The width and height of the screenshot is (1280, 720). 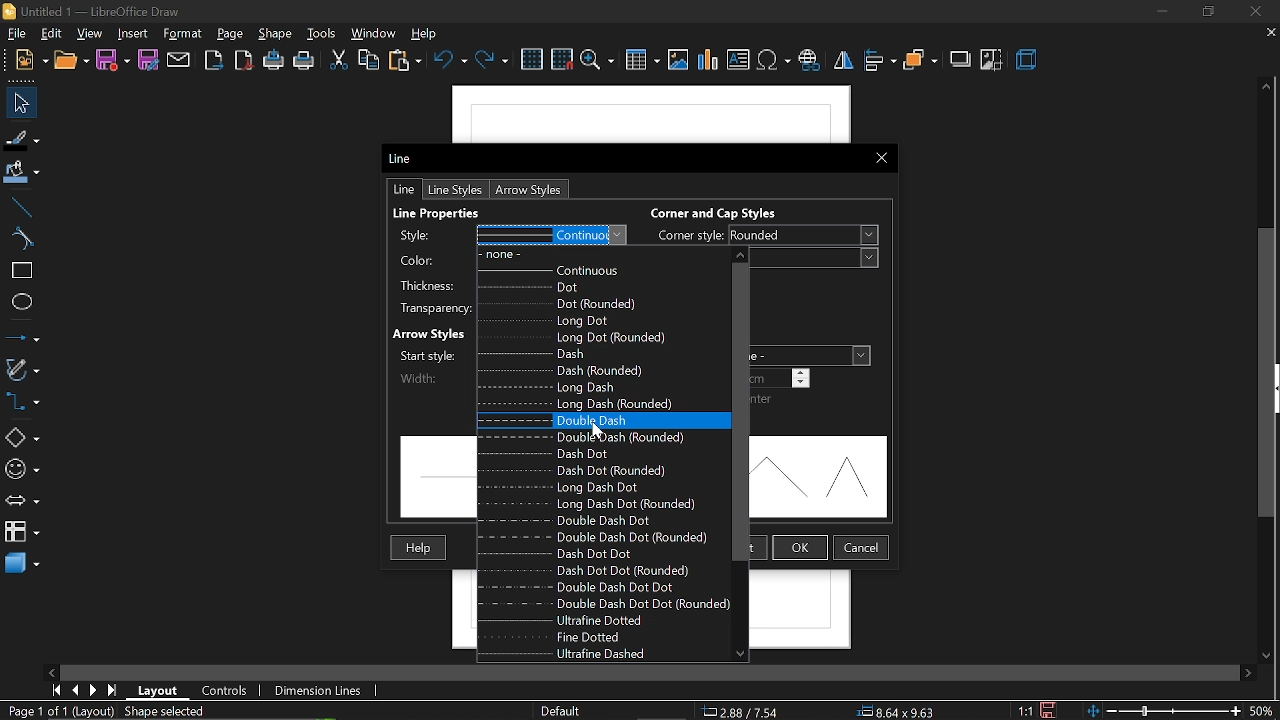 What do you see at coordinates (763, 236) in the screenshot?
I see `corner style` at bounding box center [763, 236].